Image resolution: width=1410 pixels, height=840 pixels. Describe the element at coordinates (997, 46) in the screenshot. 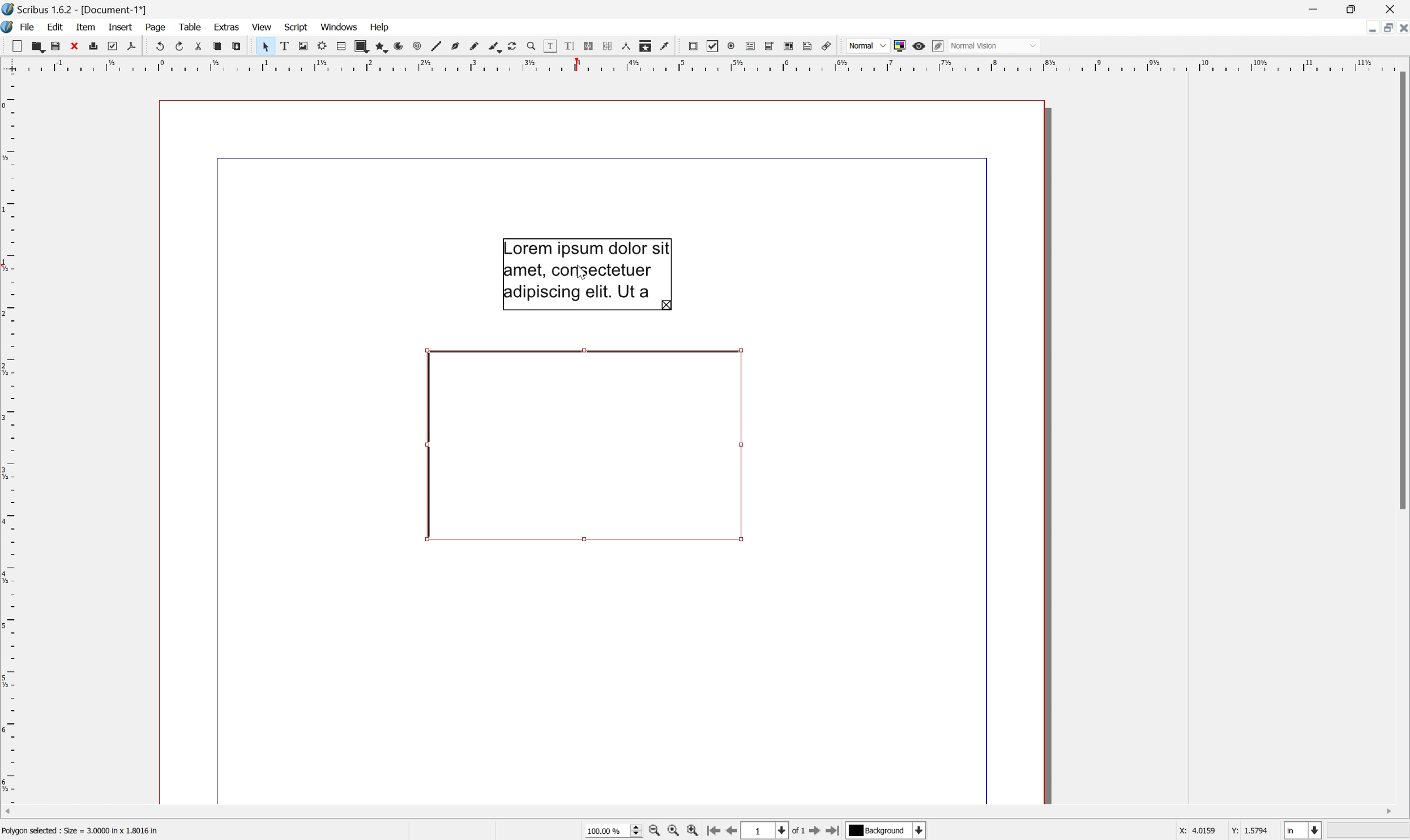

I see `Normal mode` at that location.